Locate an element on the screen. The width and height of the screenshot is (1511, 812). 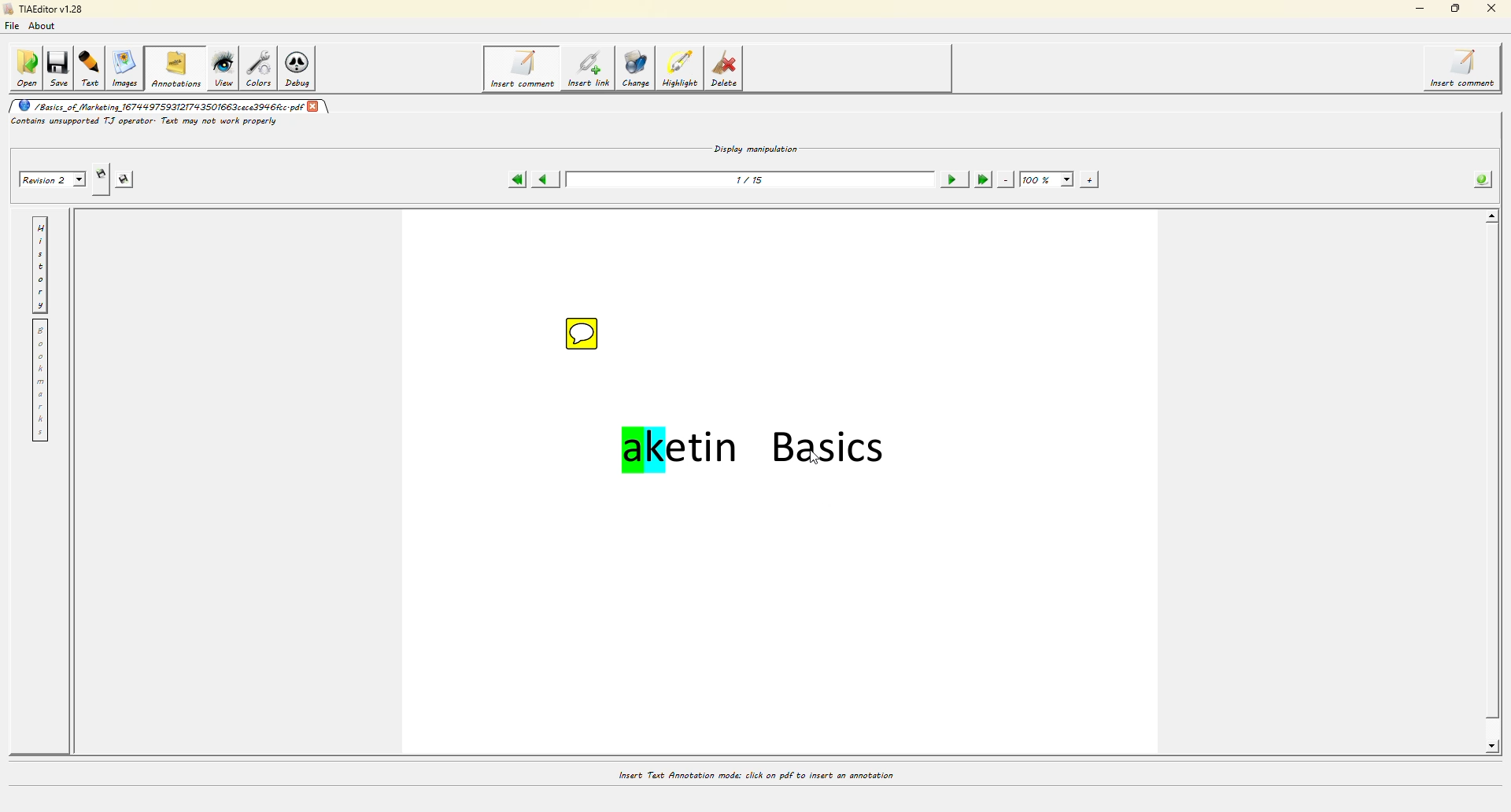
Revision 2 is located at coordinates (50, 178).